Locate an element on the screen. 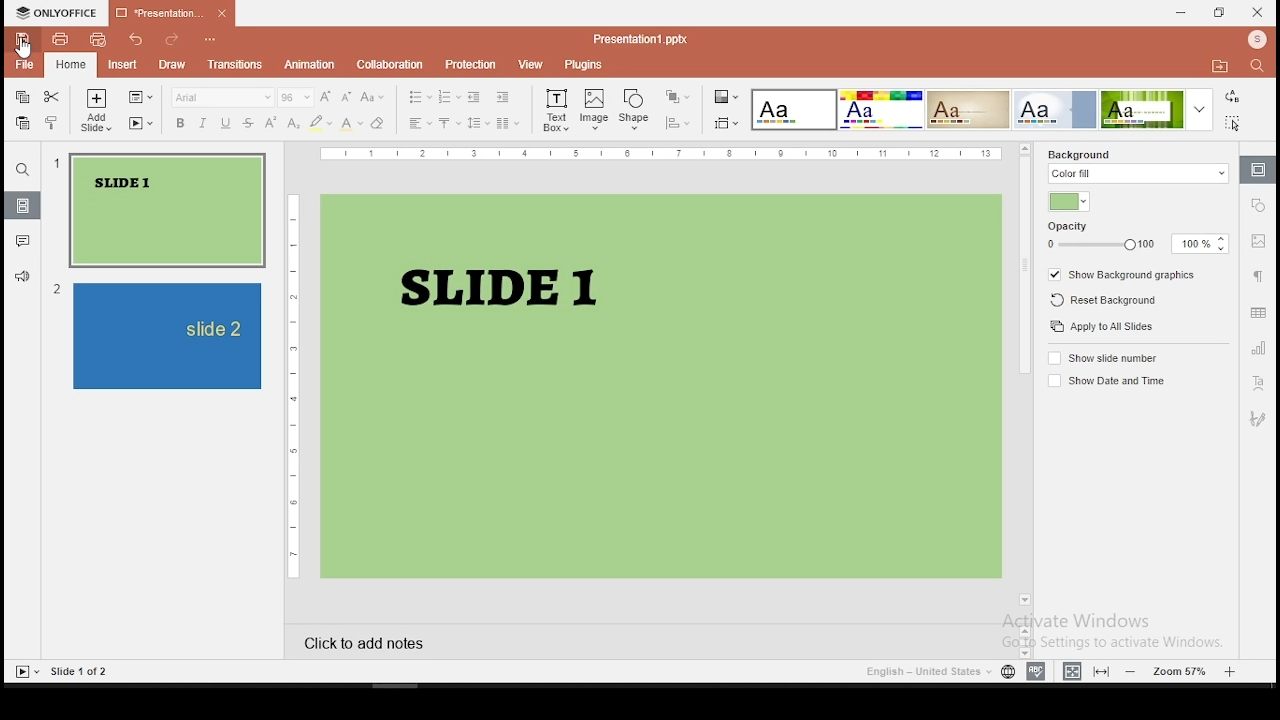 The image size is (1280, 720). file is located at coordinates (25, 65).